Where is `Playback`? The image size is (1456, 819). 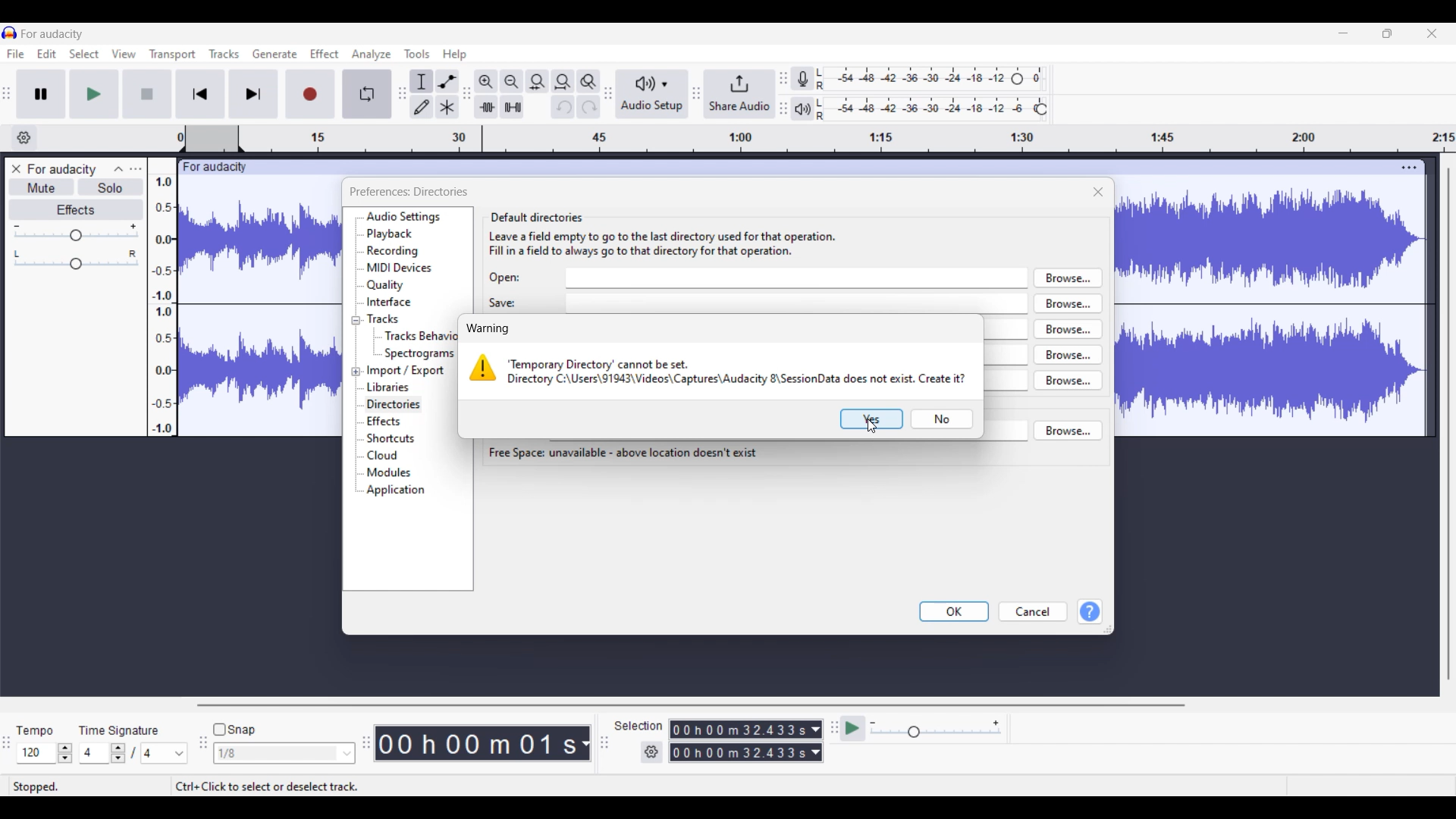 Playback is located at coordinates (391, 234).